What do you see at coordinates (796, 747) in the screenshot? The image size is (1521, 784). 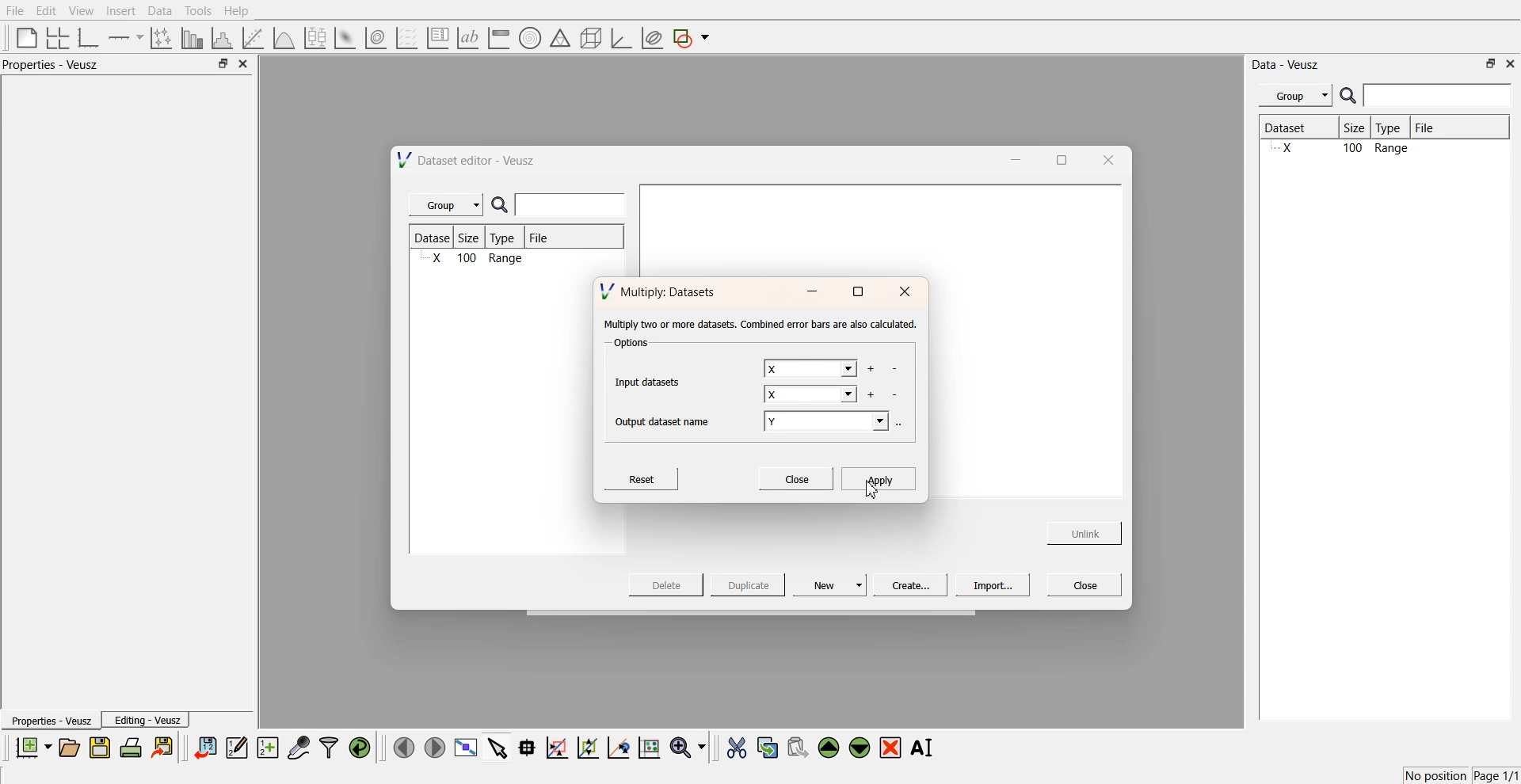 I see `paste the selected widgets` at bounding box center [796, 747].